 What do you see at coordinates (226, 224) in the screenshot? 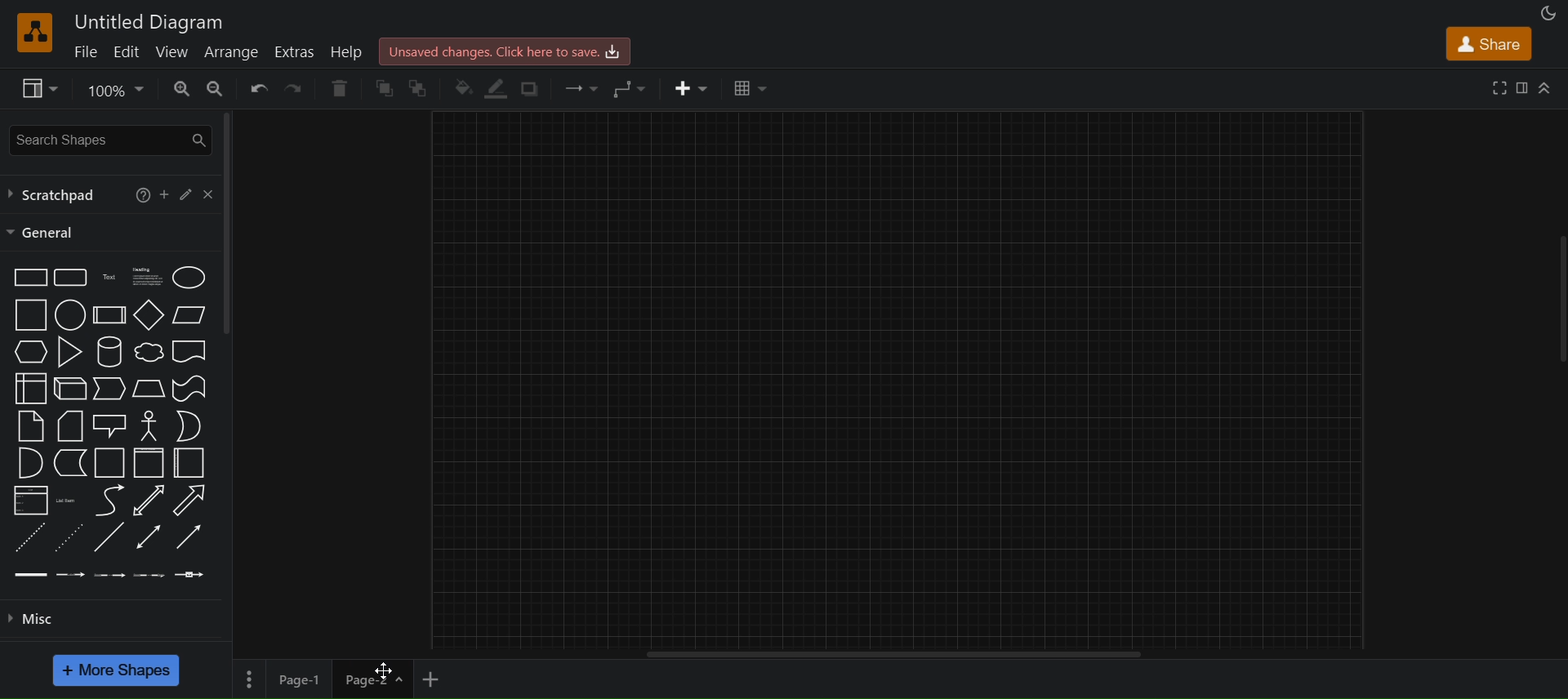
I see `vertical scroll bar` at bounding box center [226, 224].